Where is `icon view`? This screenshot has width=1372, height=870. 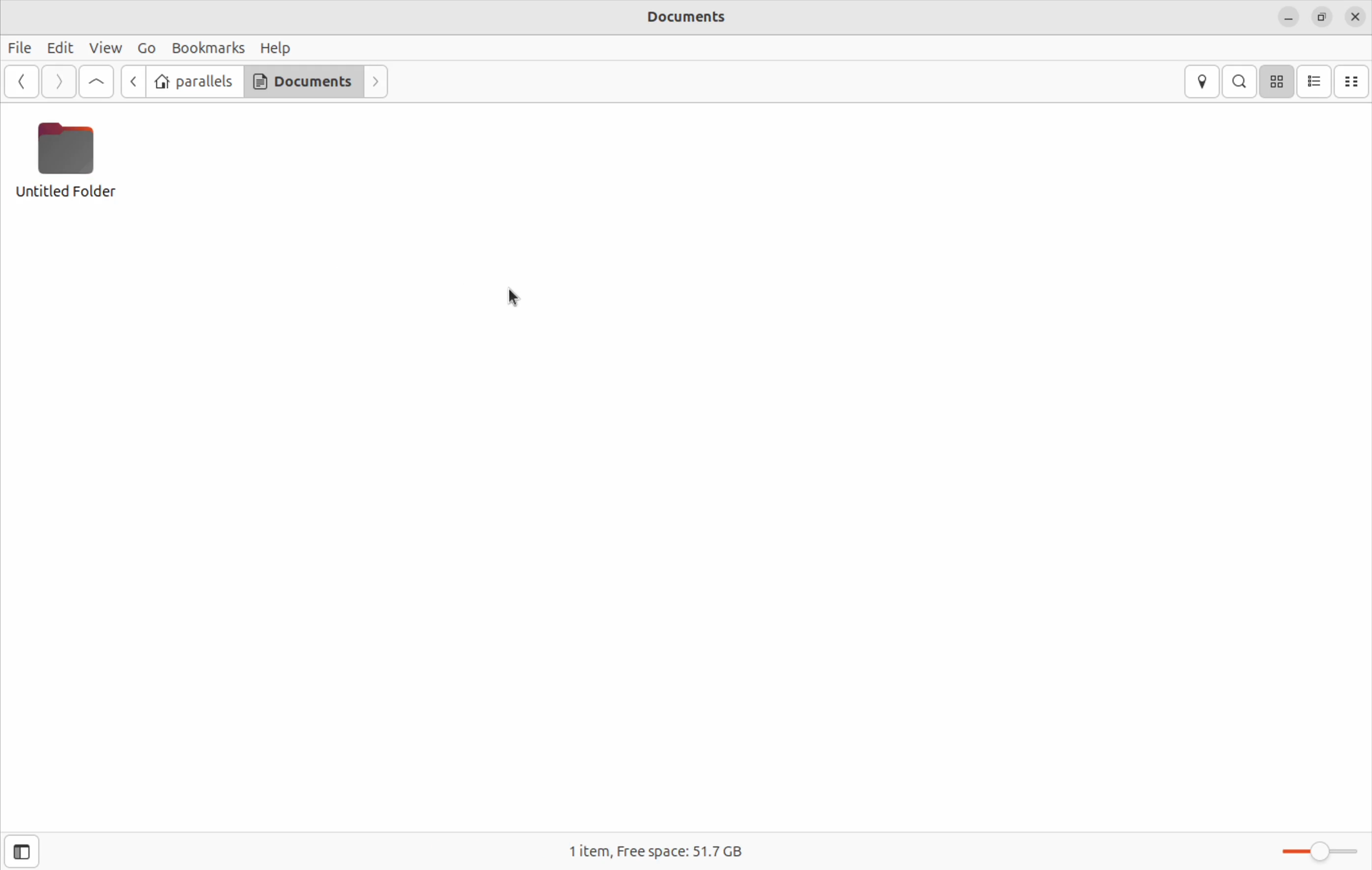
icon view is located at coordinates (1280, 81).